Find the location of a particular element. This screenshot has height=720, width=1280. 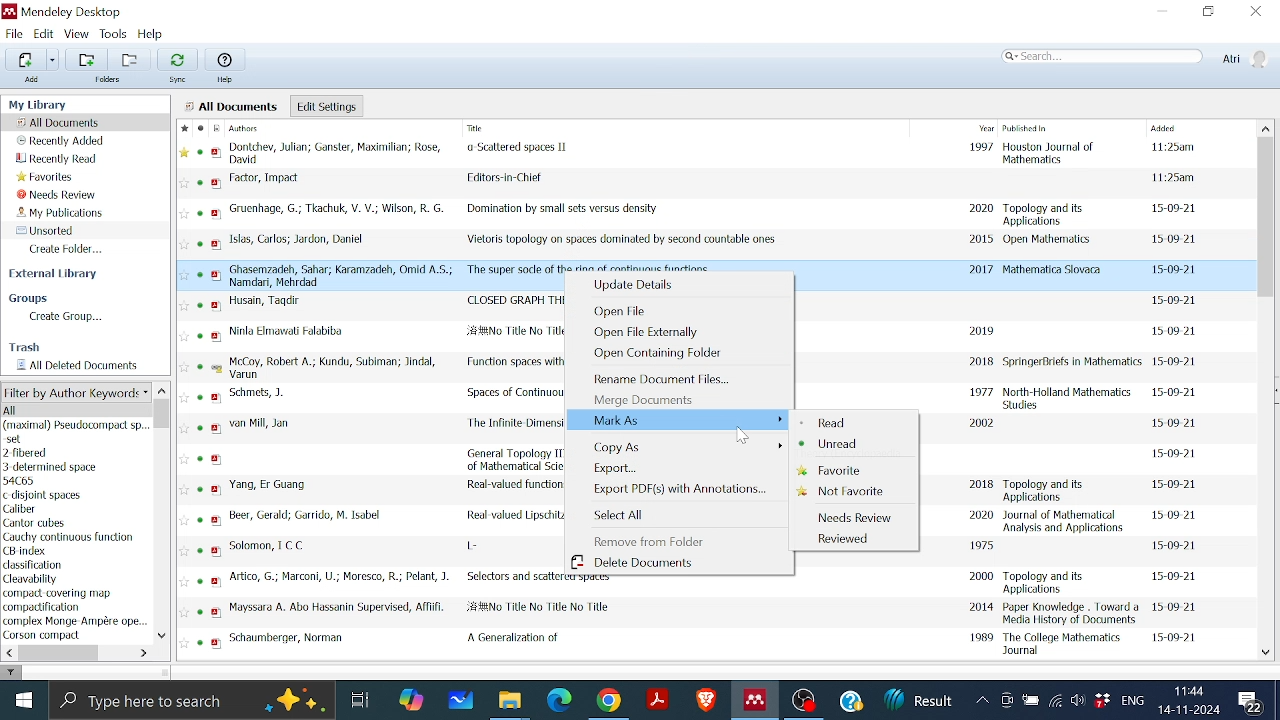

document is located at coordinates (1075, 366).